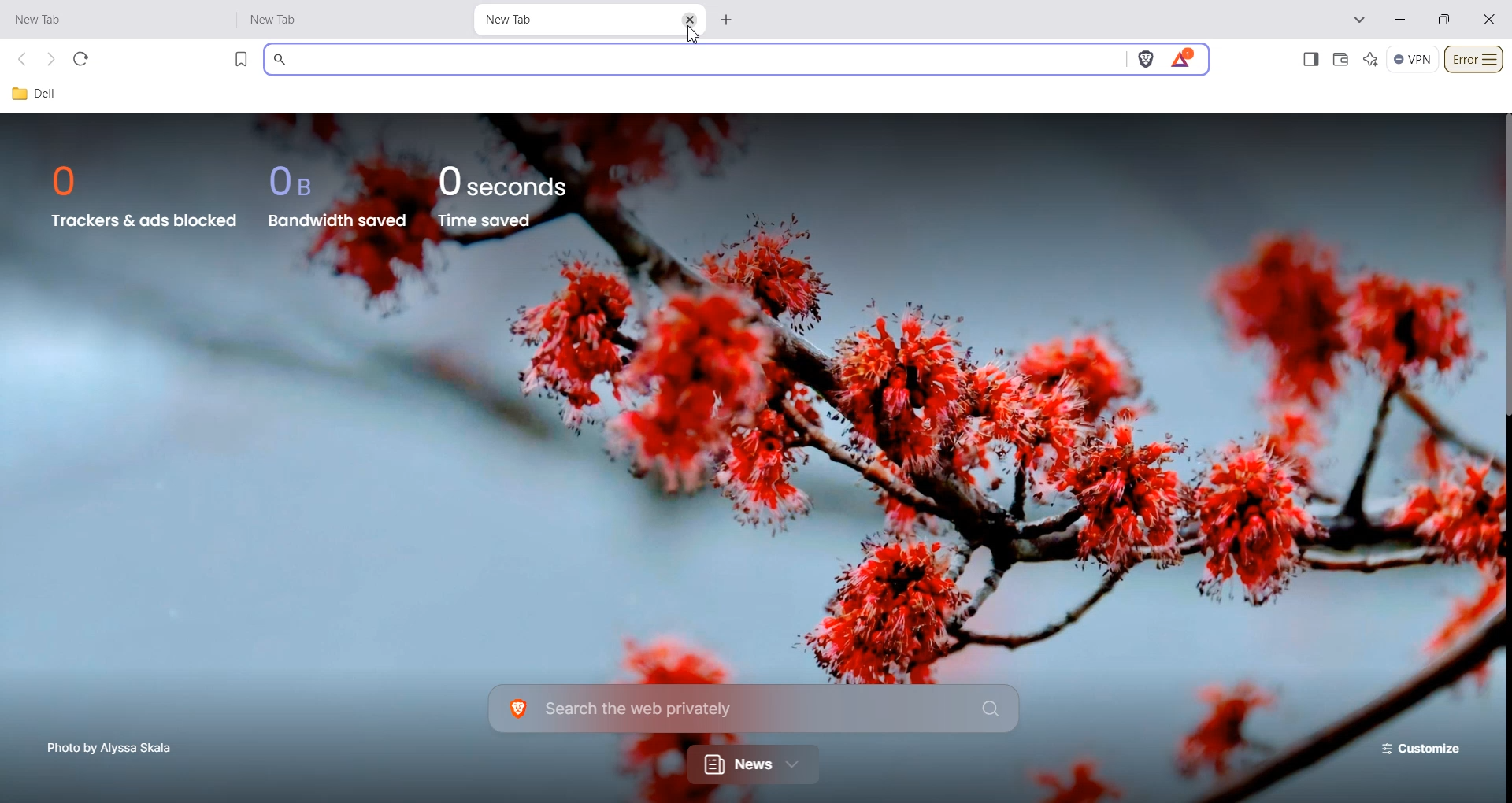  I want to click on Brave Rewards, so click(1182, 59).